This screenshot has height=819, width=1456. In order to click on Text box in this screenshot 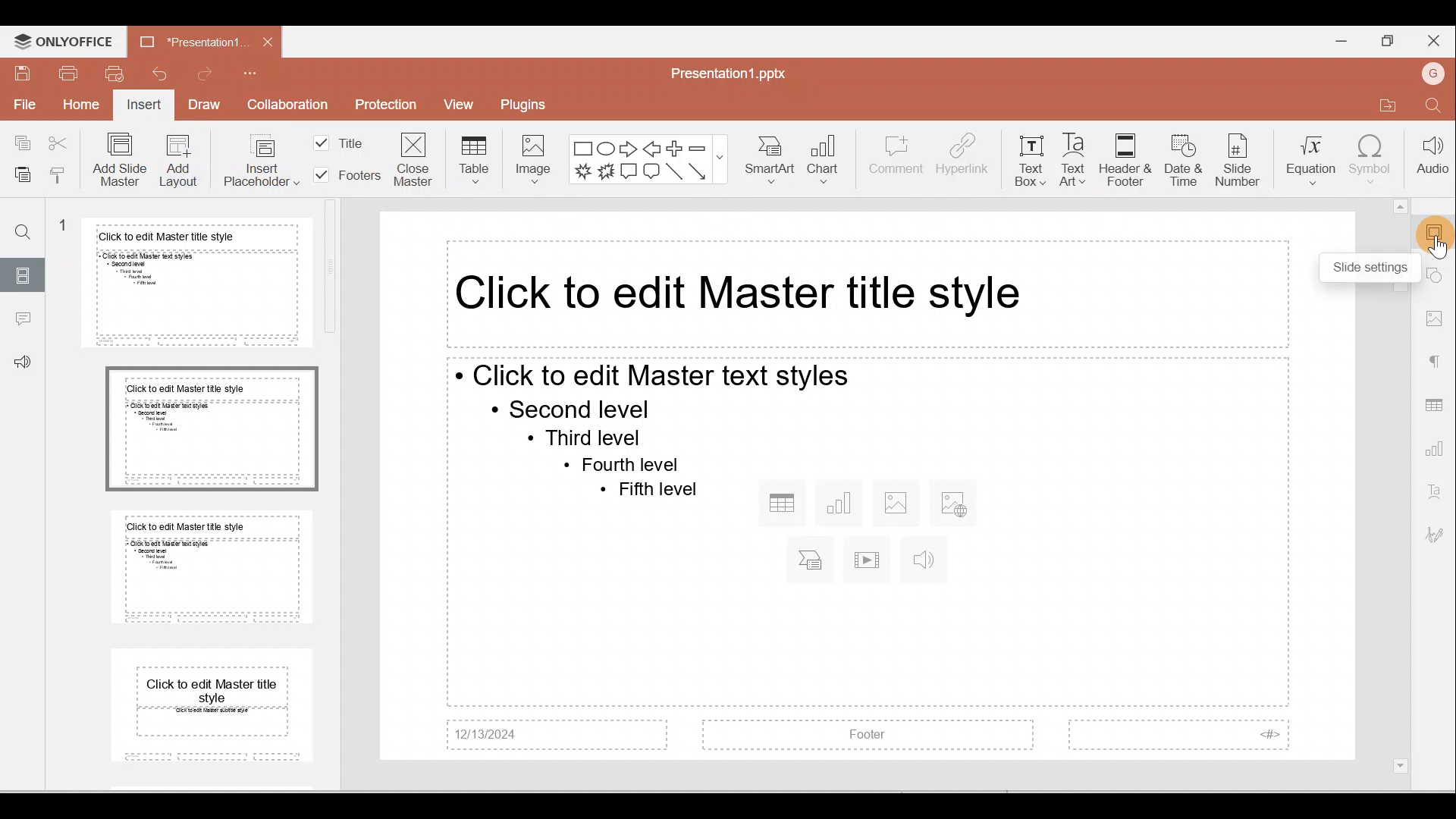, I will do `click(1028, 165)`.